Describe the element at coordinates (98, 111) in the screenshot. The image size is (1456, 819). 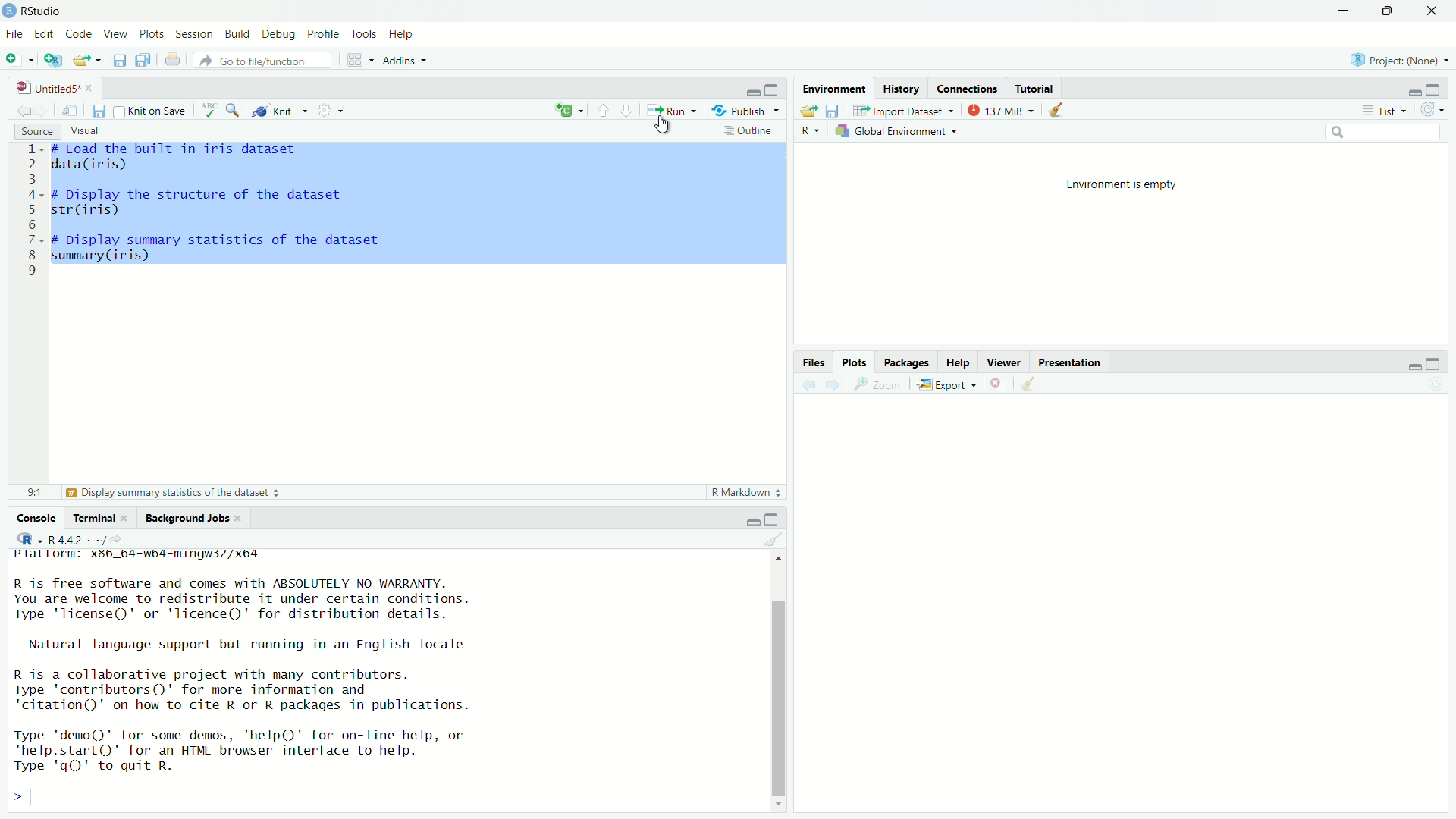
I see `Save` at that location.